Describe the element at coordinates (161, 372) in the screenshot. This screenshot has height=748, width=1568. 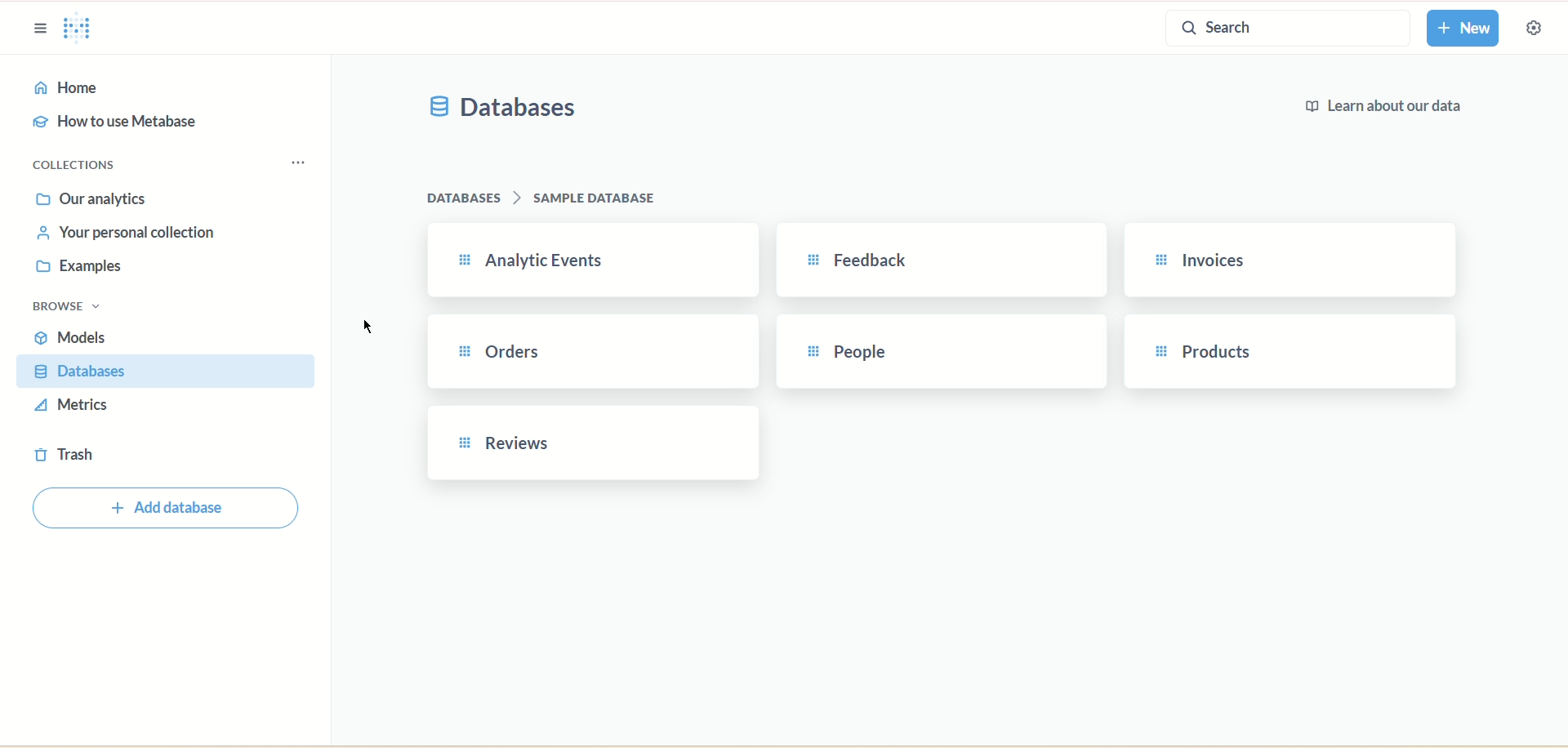
I see `database` at that location.